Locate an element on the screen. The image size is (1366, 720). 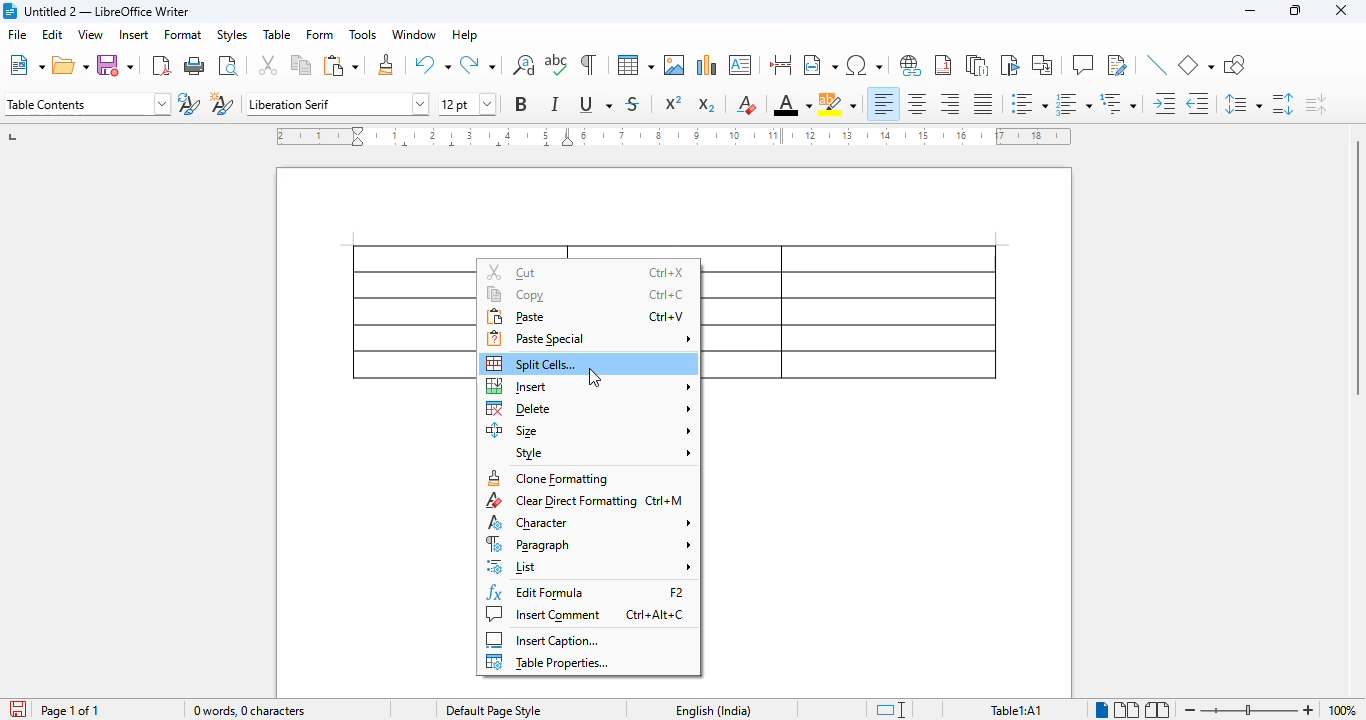
table is located at coordinates (277, 33).